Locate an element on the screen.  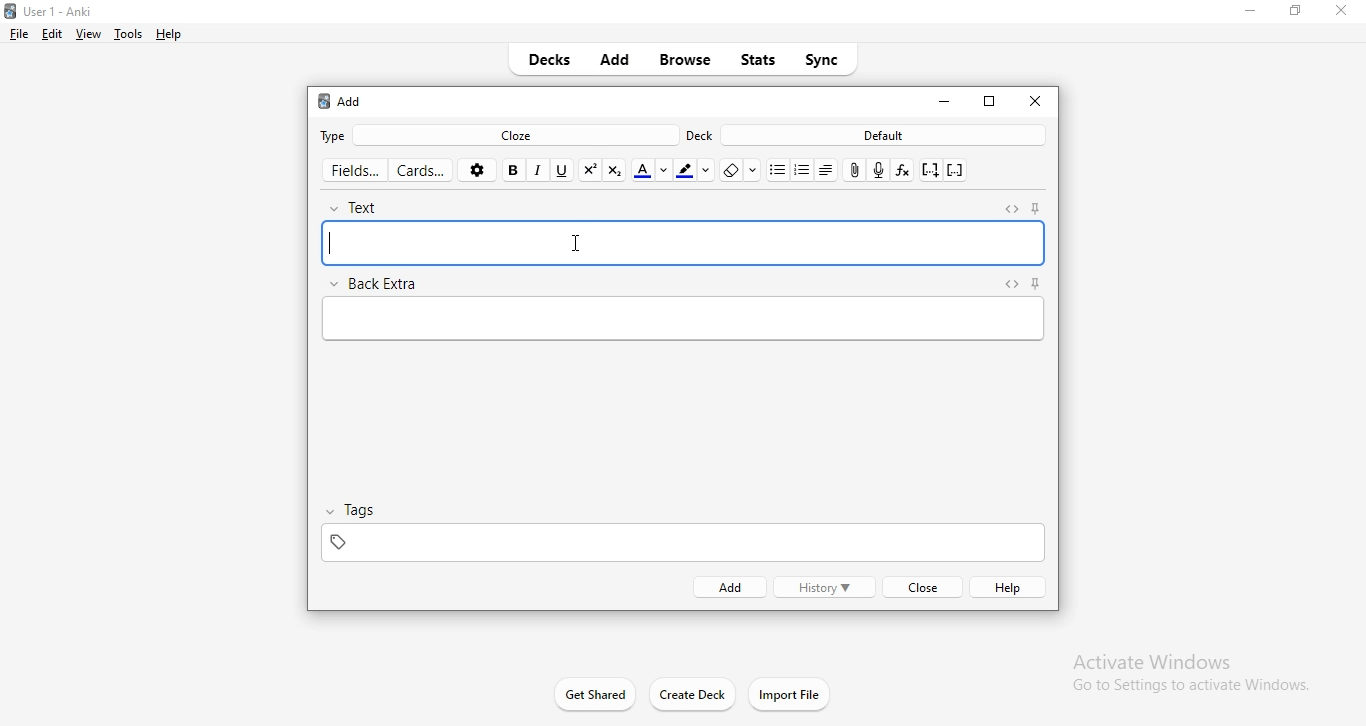
stats is located at coordinates (760, 58).